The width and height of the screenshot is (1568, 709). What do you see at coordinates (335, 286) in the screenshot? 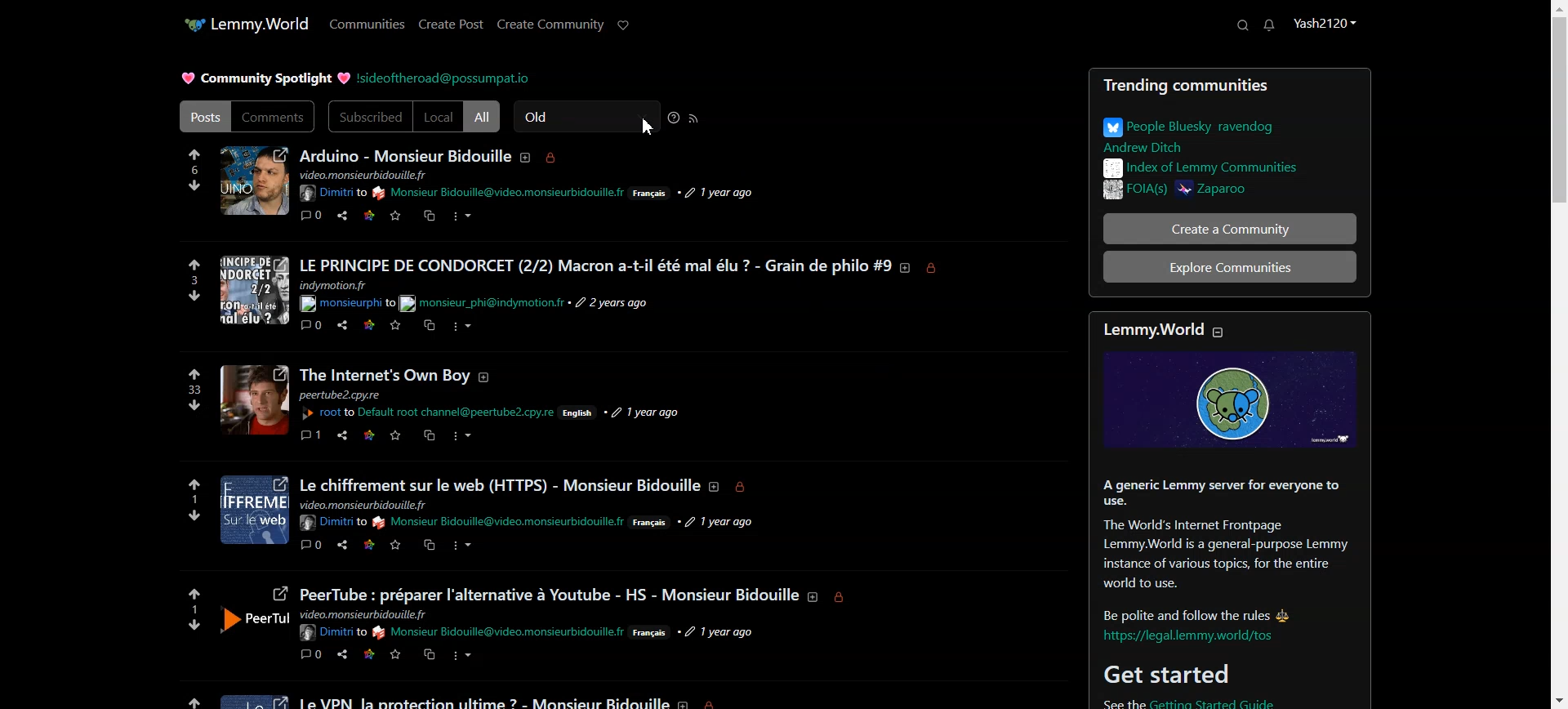
I see `indymotion.fr` at bounding box center [335, 286].